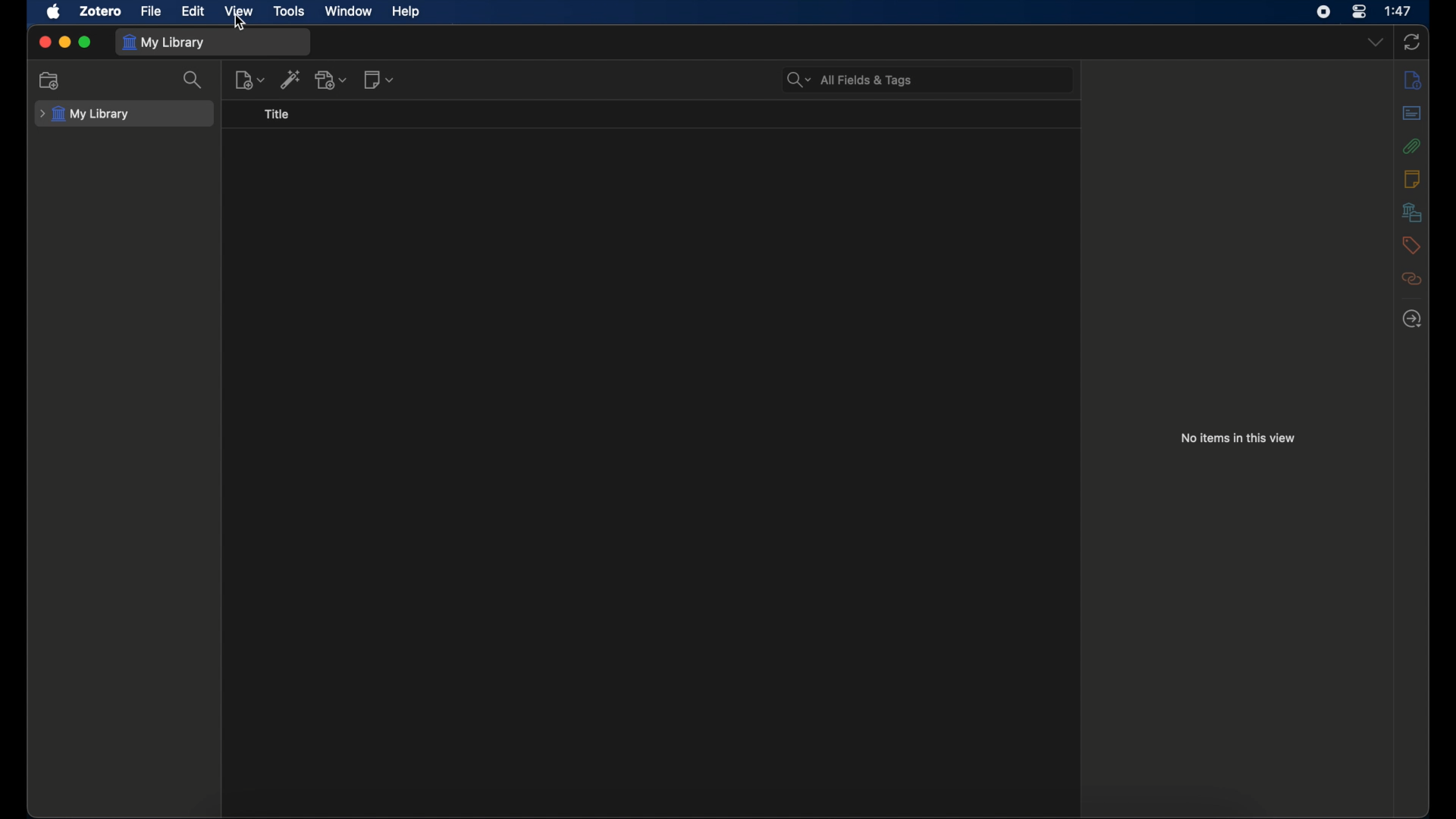 The height and width of the screenshot is (819, 1456). Describe the element at coordinates (1359, 11) in the screenshot. I see `control center` at that location.